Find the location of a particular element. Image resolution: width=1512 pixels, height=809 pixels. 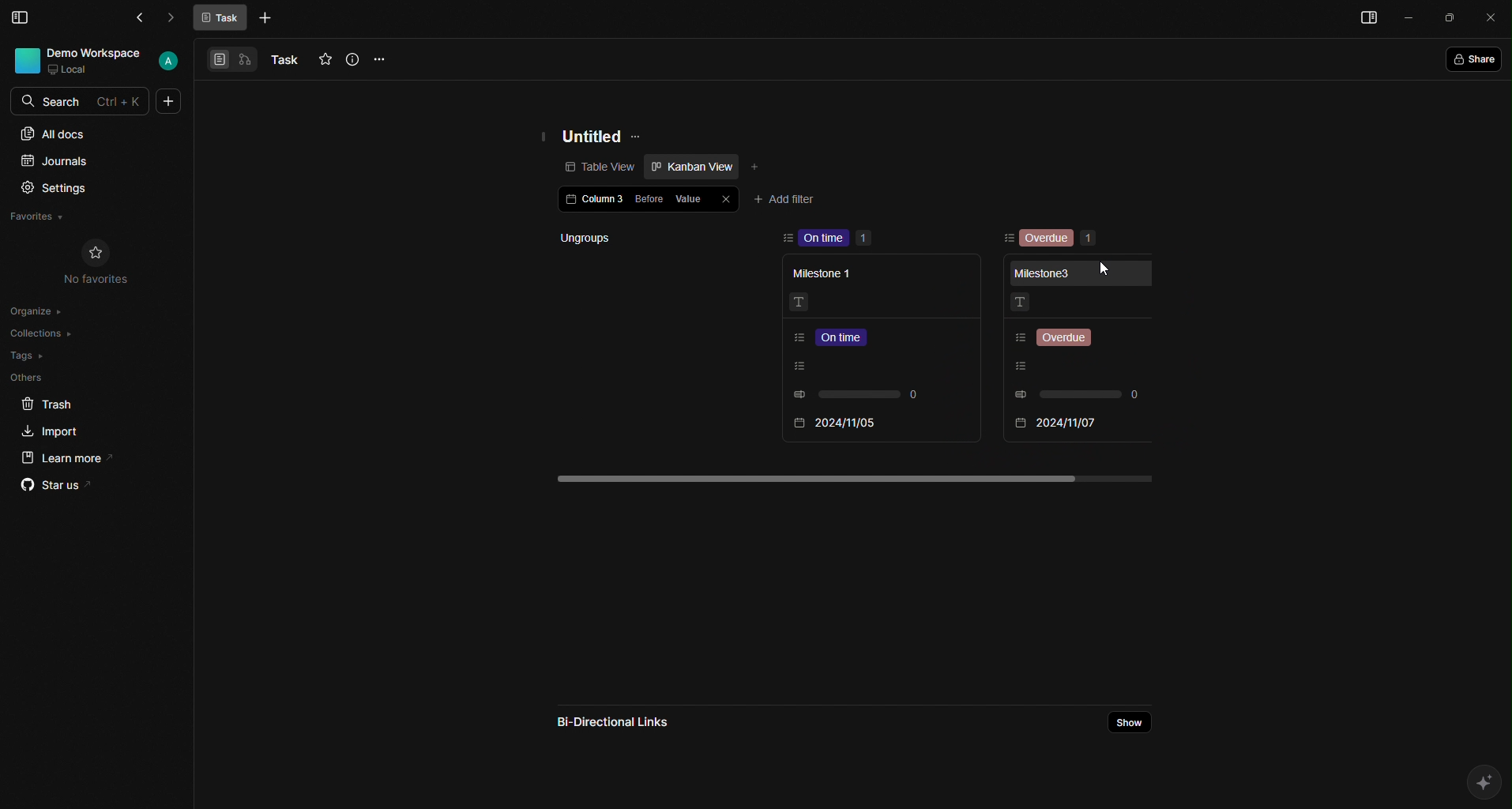

Forward is located at coordinates (169, 18).